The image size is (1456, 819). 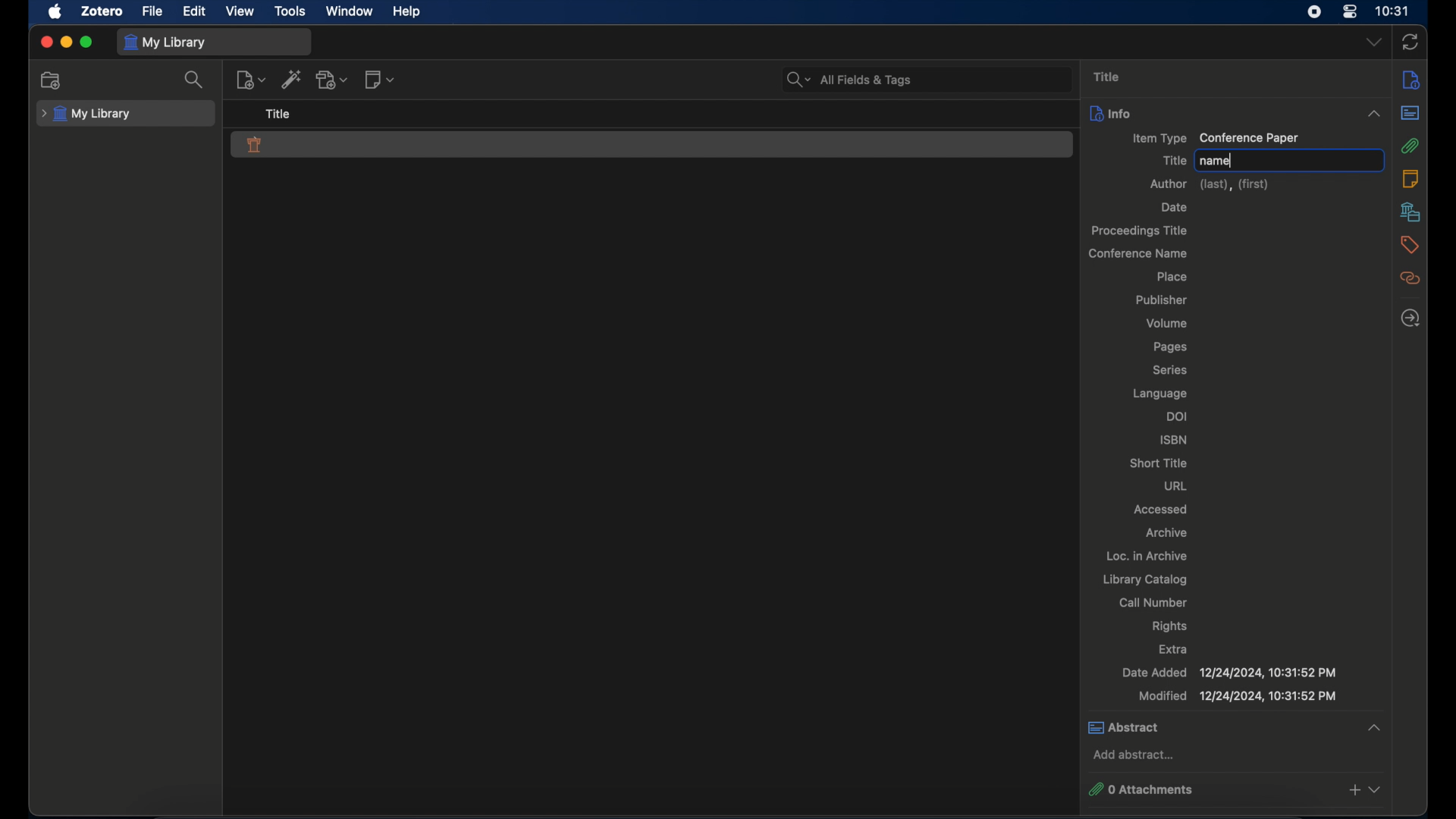 I want to click on close, so click(x=45, y=43).